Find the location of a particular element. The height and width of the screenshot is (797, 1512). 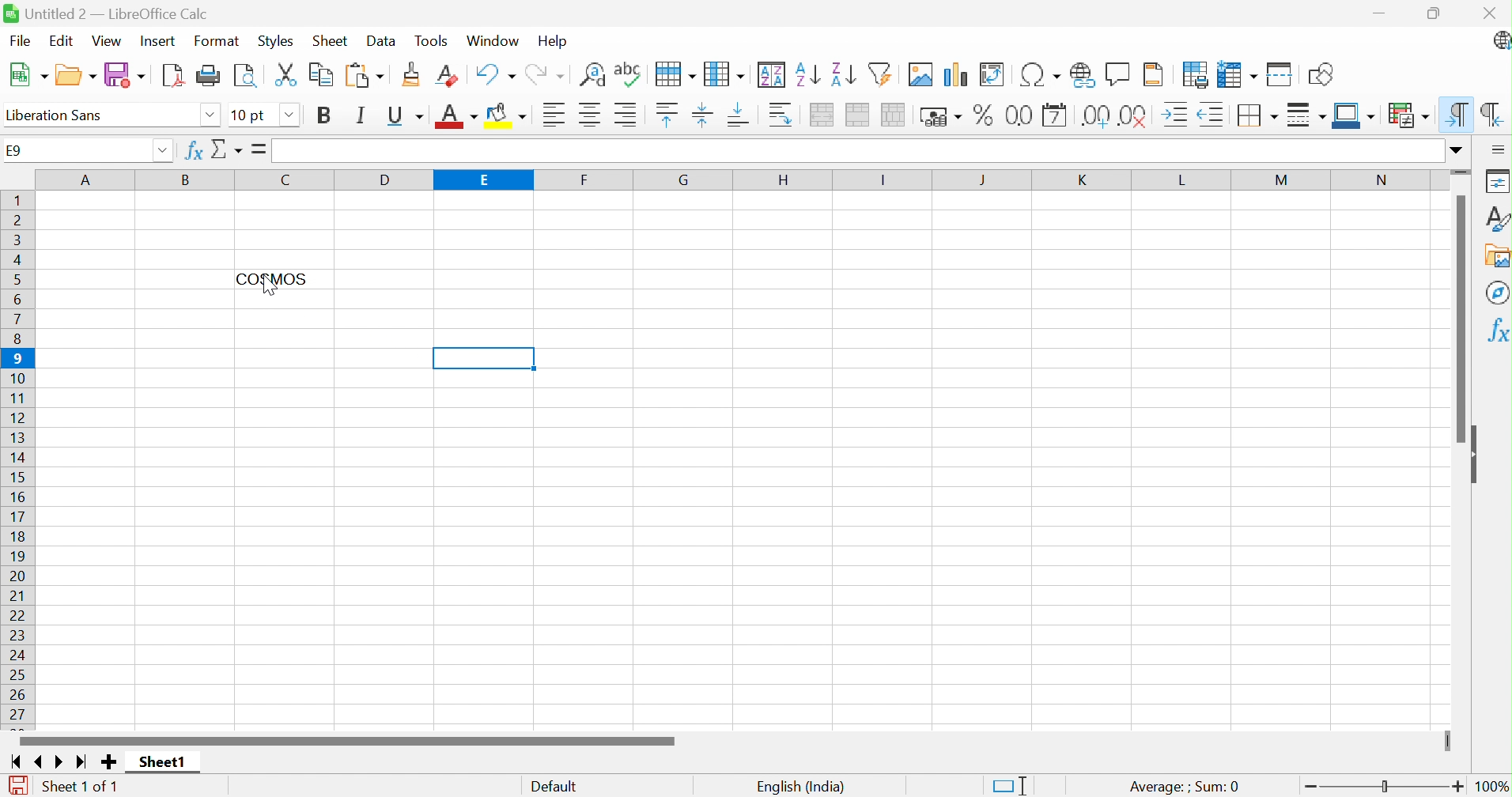

Sort descending is located at coordinates (843, 74).